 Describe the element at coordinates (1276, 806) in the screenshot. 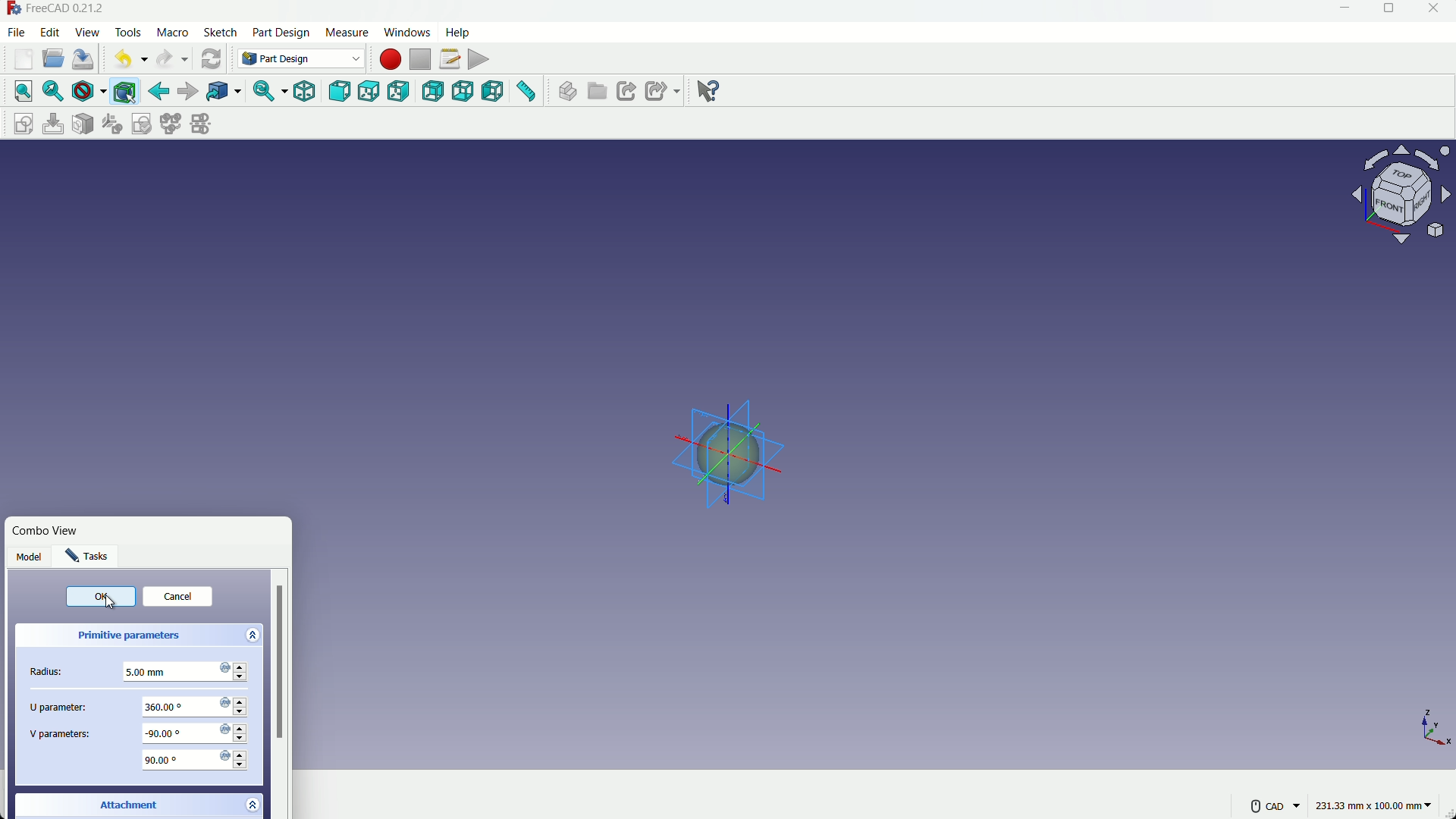

I see `more settings` at that location.